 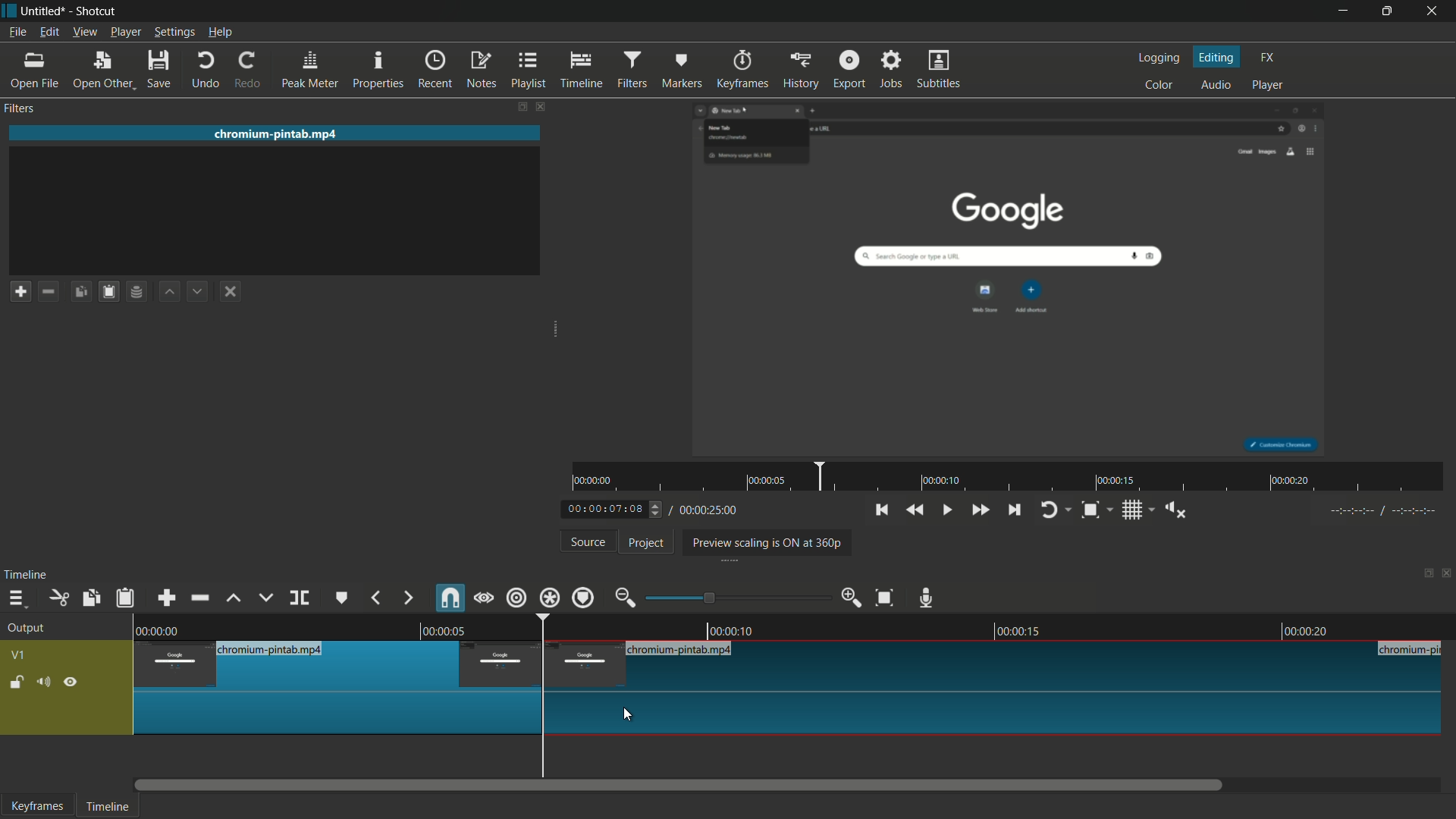 What do you see at coordinates (20, 657) in the screenshot?
I see `v1` at bounding box center [20, 657].